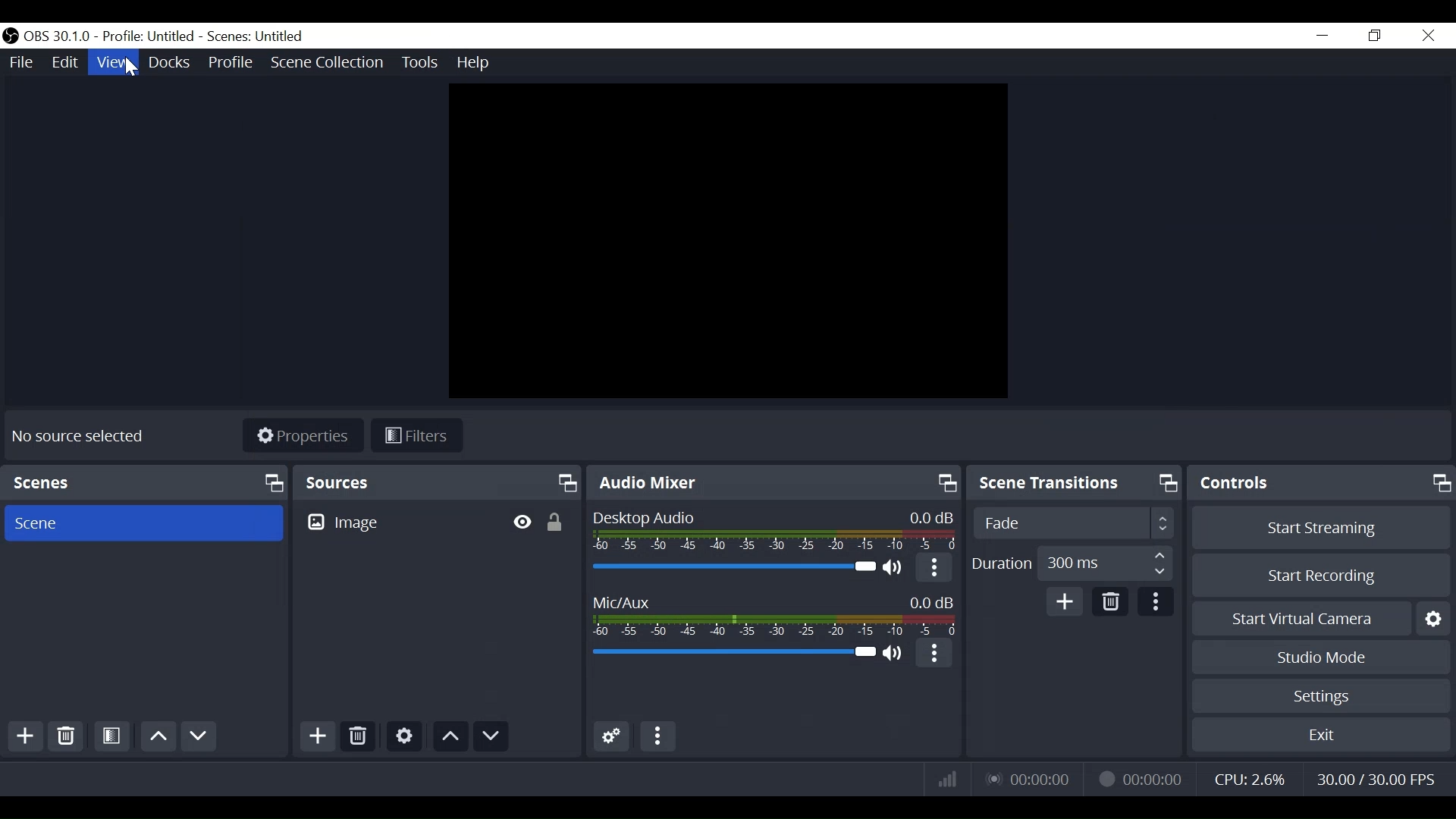 The width and height of the screenshot is (1456, 819). Describe the element at coordinates (329, 63) in the screenshot. I see `Scene Collection` at that location.